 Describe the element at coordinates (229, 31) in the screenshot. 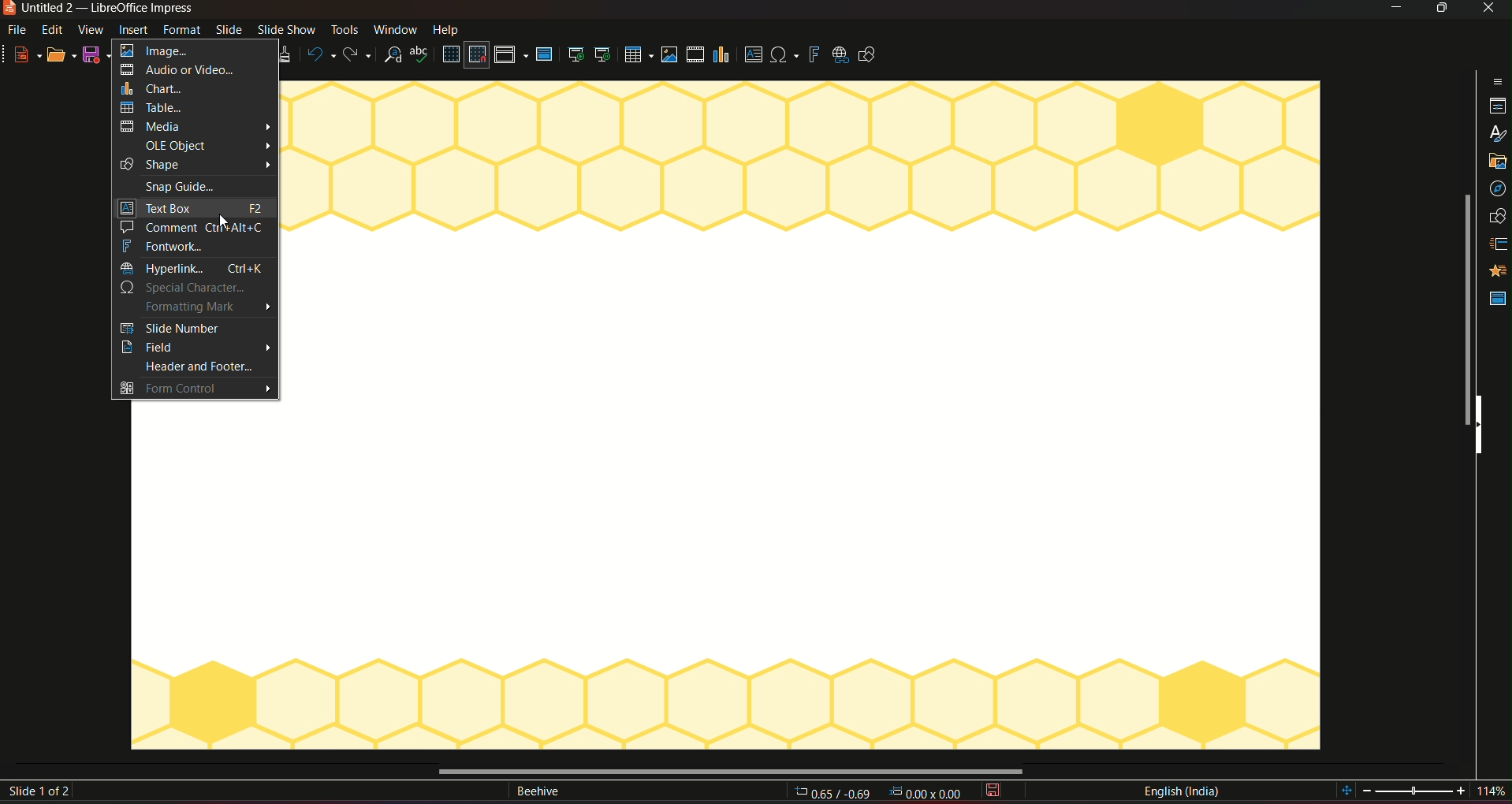

I see `slide` at that location.